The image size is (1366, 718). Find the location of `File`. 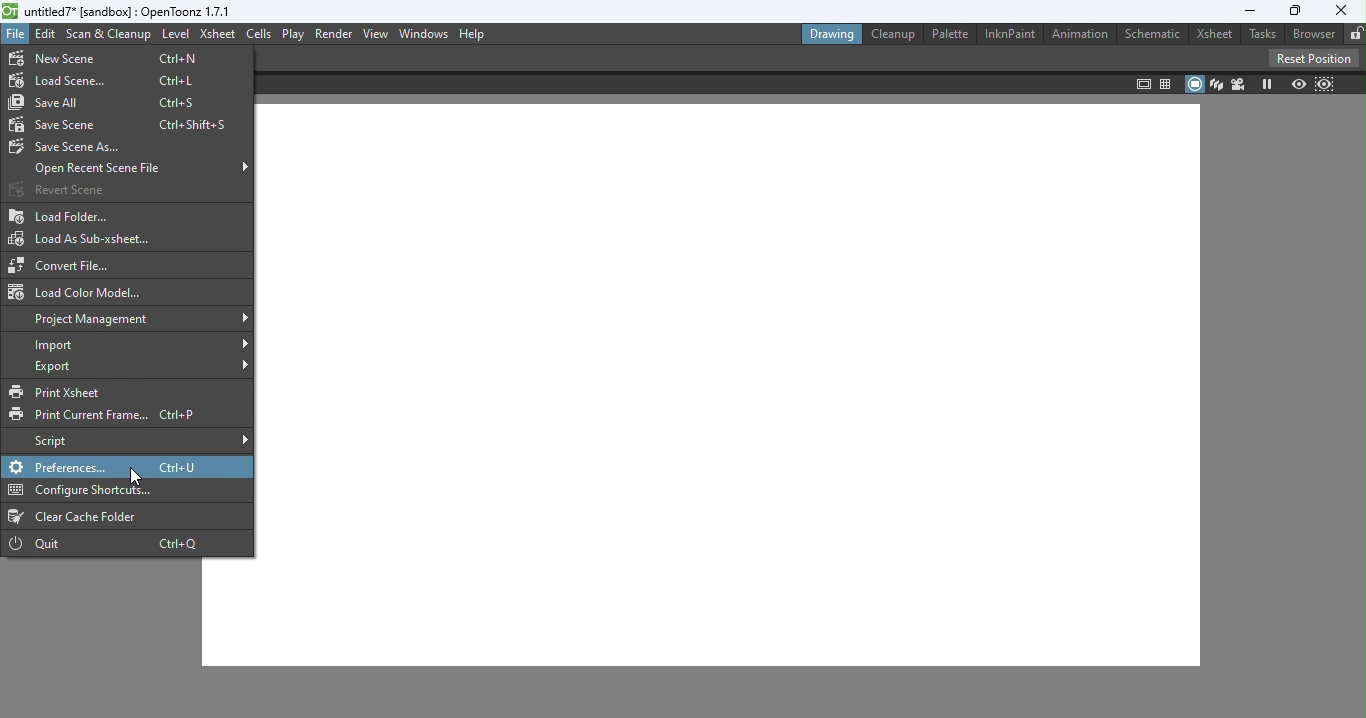

File is located at coordinates (15, 35).